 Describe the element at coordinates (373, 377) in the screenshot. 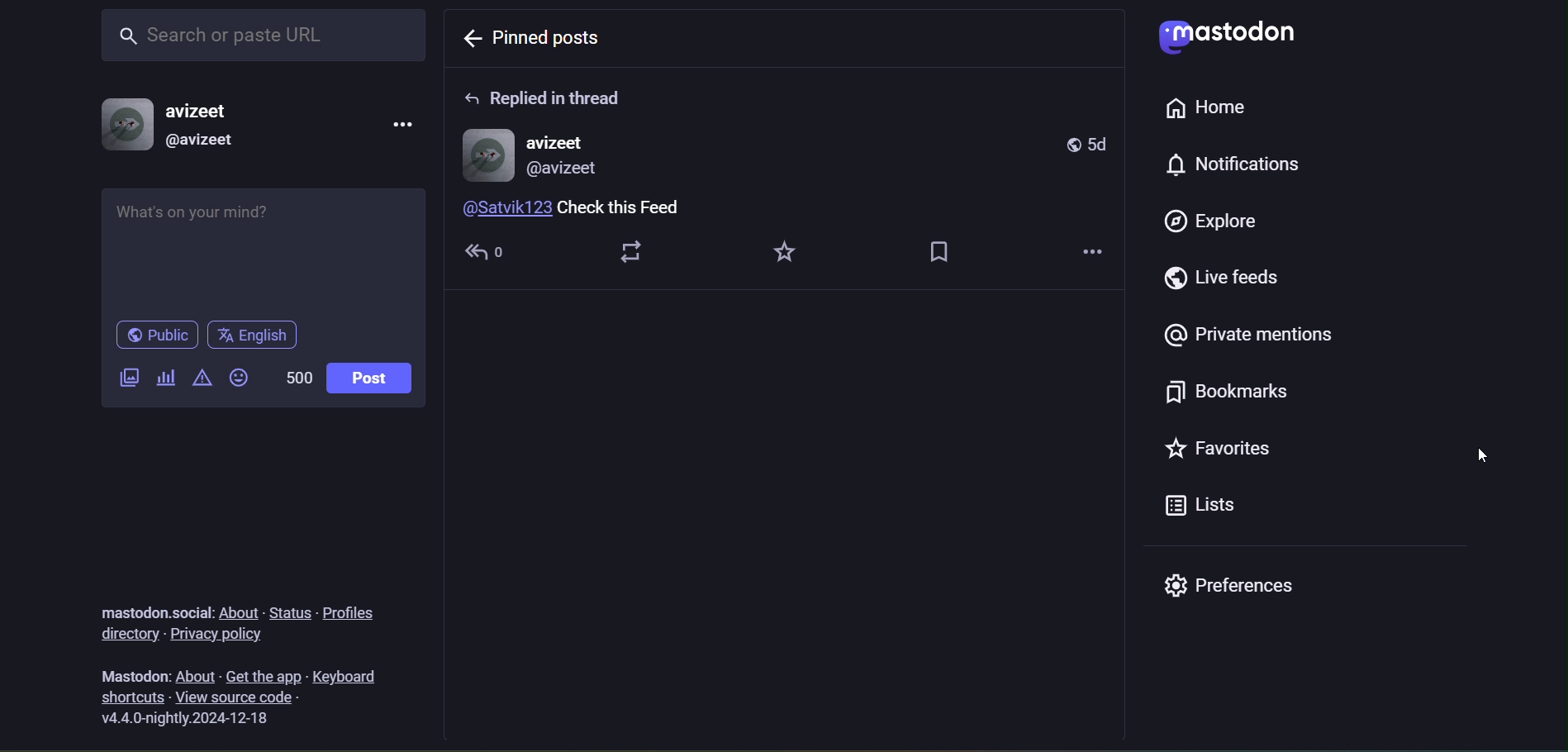

I see `post` at that location.